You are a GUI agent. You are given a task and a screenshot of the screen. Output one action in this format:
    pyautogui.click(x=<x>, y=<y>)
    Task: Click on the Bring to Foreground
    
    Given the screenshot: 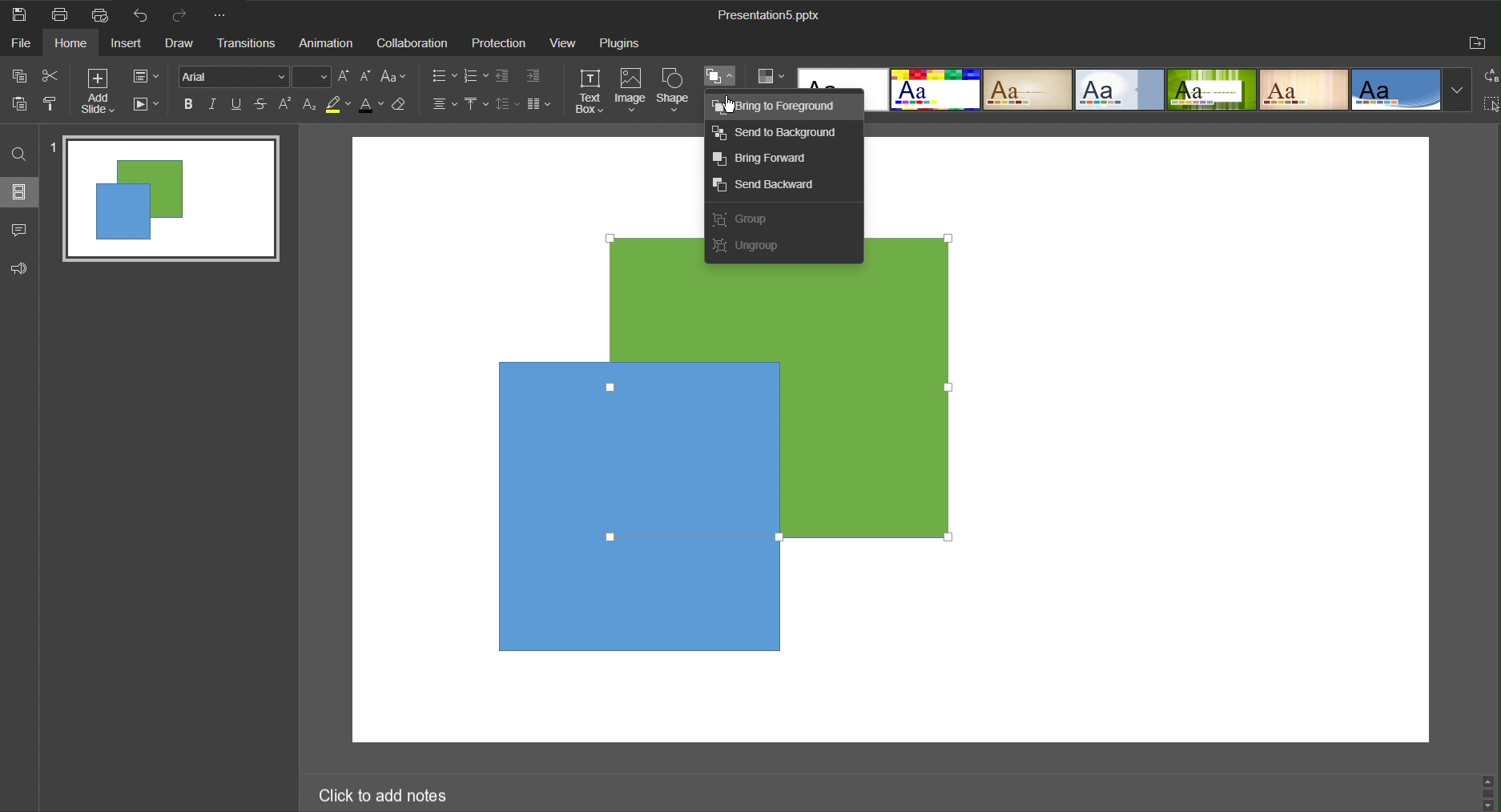 What is the action you would take?
    pyautogui.click(x=782, y=108)
    